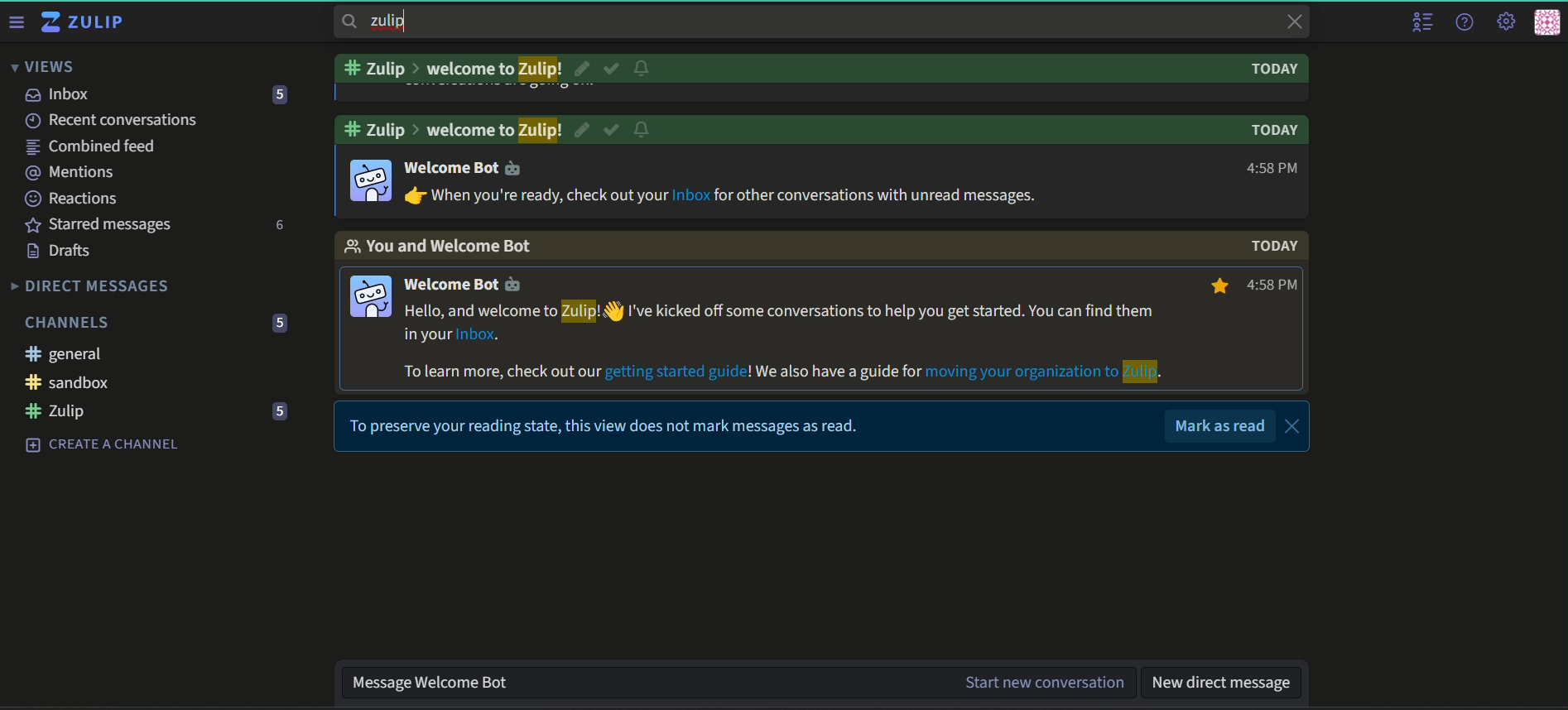 The width and height of the screenshot is (1568, 710). What do you see at coordinates (1244, 287) in the screenshot?
I see `time` at bounding box center [1244, 287].